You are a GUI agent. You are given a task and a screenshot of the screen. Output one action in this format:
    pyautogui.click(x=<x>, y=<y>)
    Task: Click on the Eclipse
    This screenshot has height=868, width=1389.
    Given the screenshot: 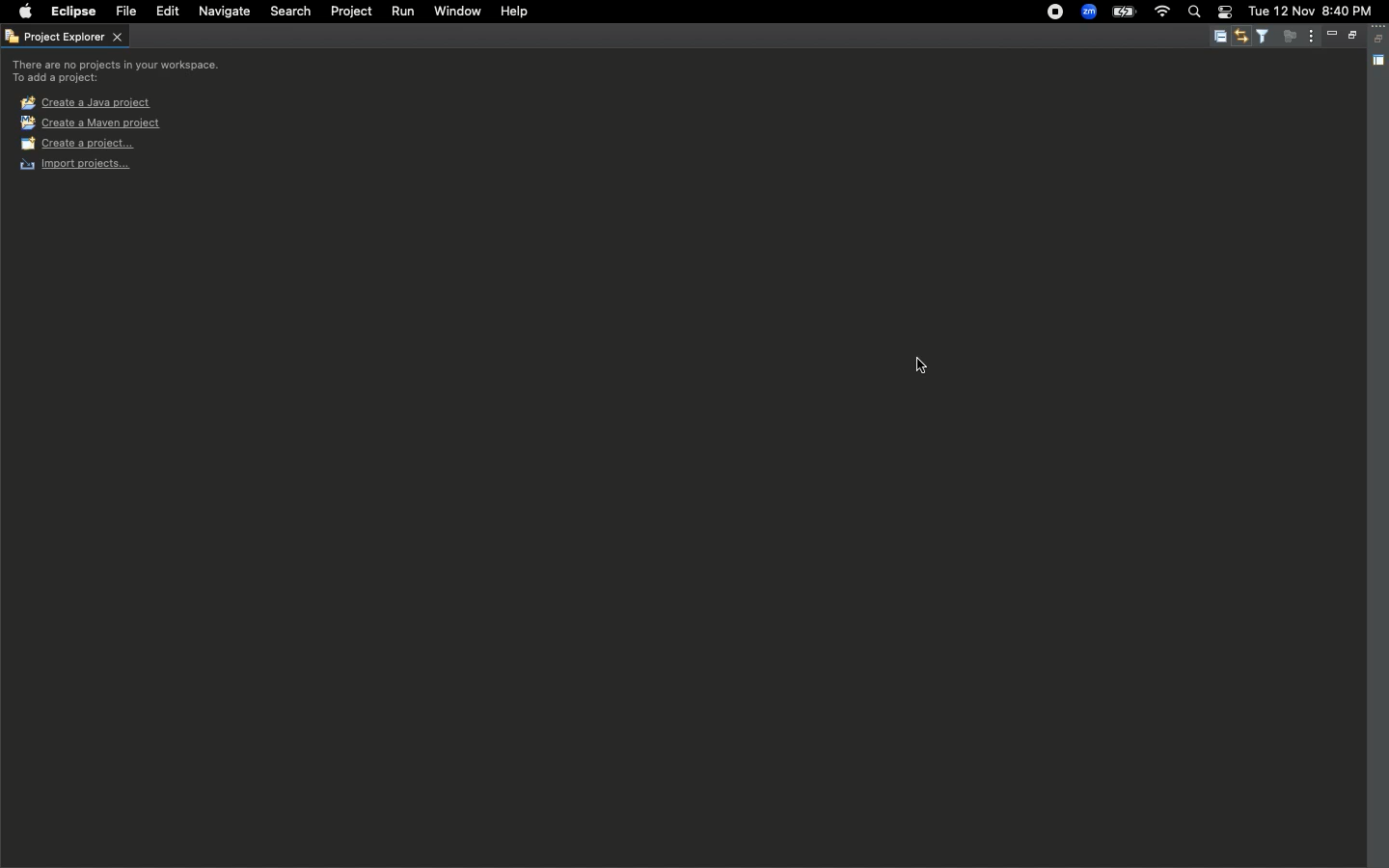 What is the action you would take?
    pyautogui.click(x=74, y=13)
    